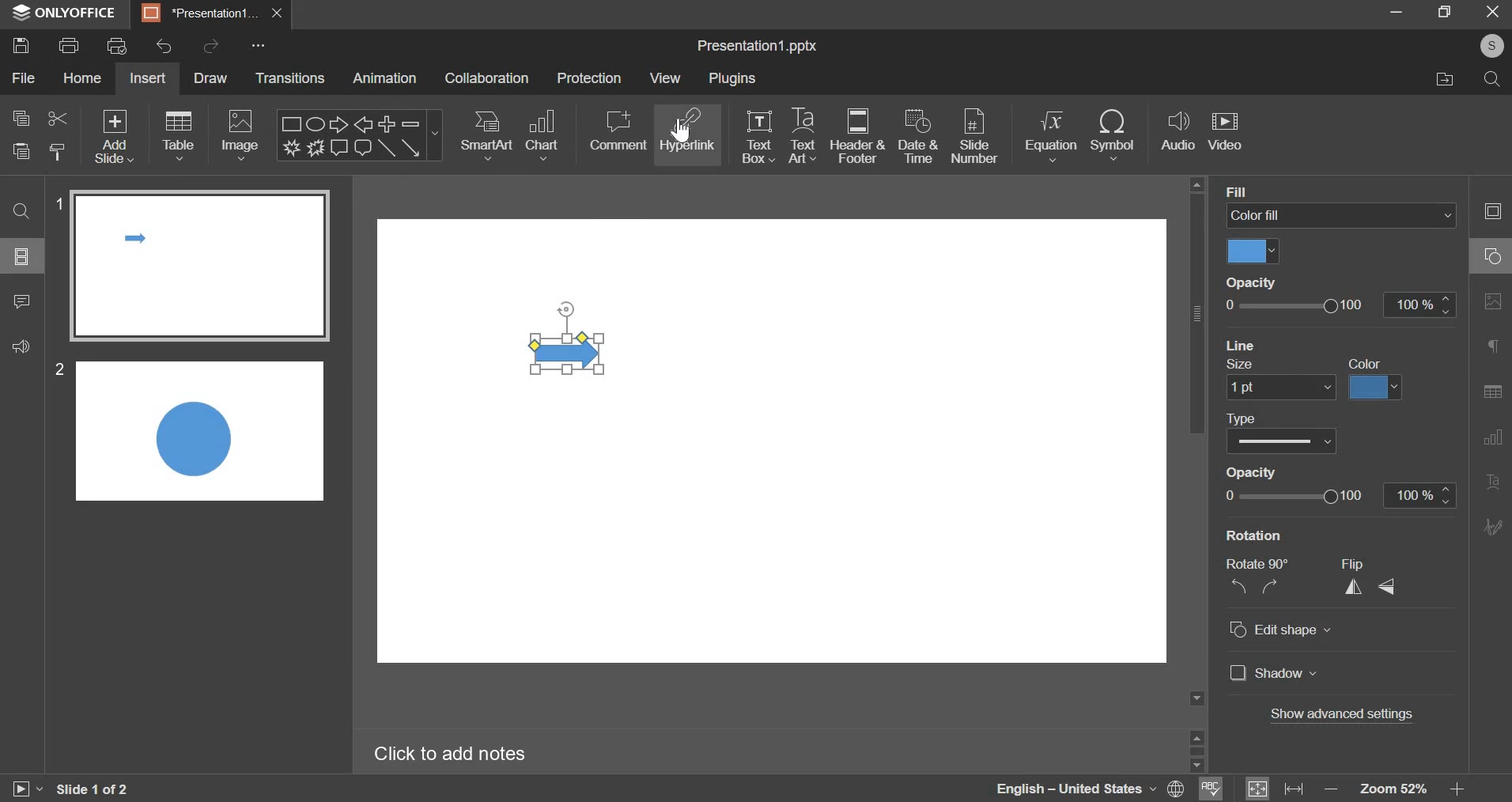 The width and height of the screenshot is (1512, 802). What do you see at coordinates (364, 123) in the screenshot?
I see `Left arrow` at bounding box center [364, 123].